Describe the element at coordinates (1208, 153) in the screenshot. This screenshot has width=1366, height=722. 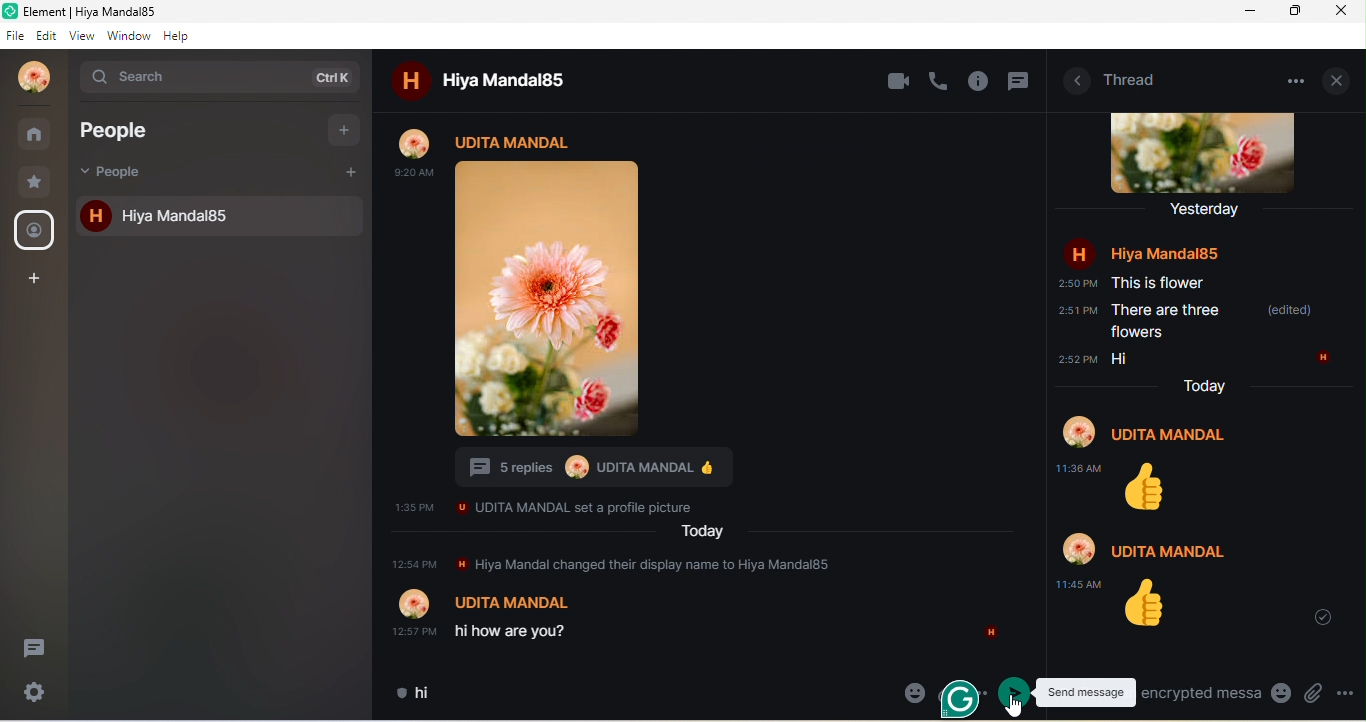
I see `profile photo` at that location.